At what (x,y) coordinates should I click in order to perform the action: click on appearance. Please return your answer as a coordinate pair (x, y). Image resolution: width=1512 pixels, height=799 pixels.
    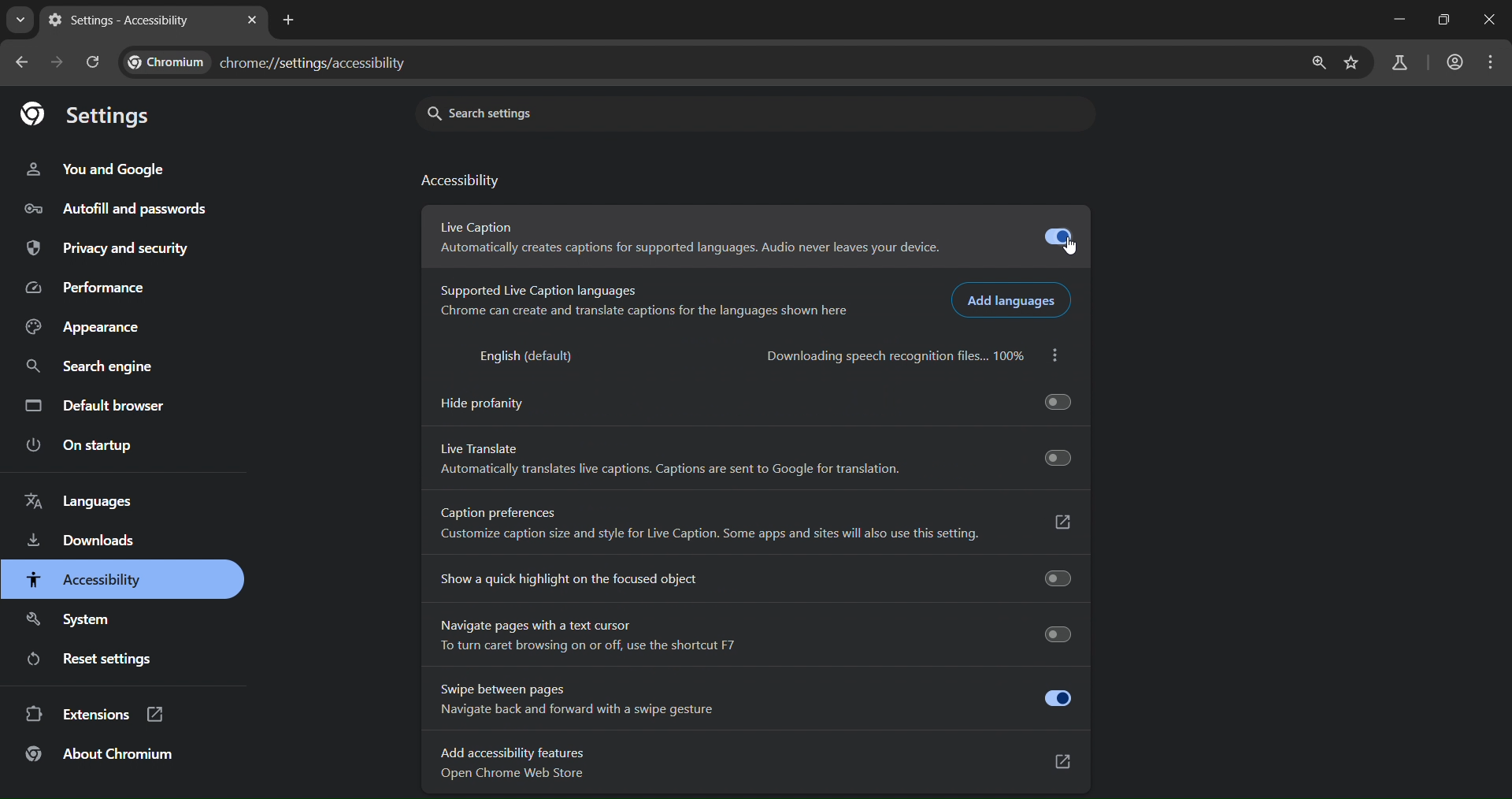
    Looking at the image, I should click on (102, 325).